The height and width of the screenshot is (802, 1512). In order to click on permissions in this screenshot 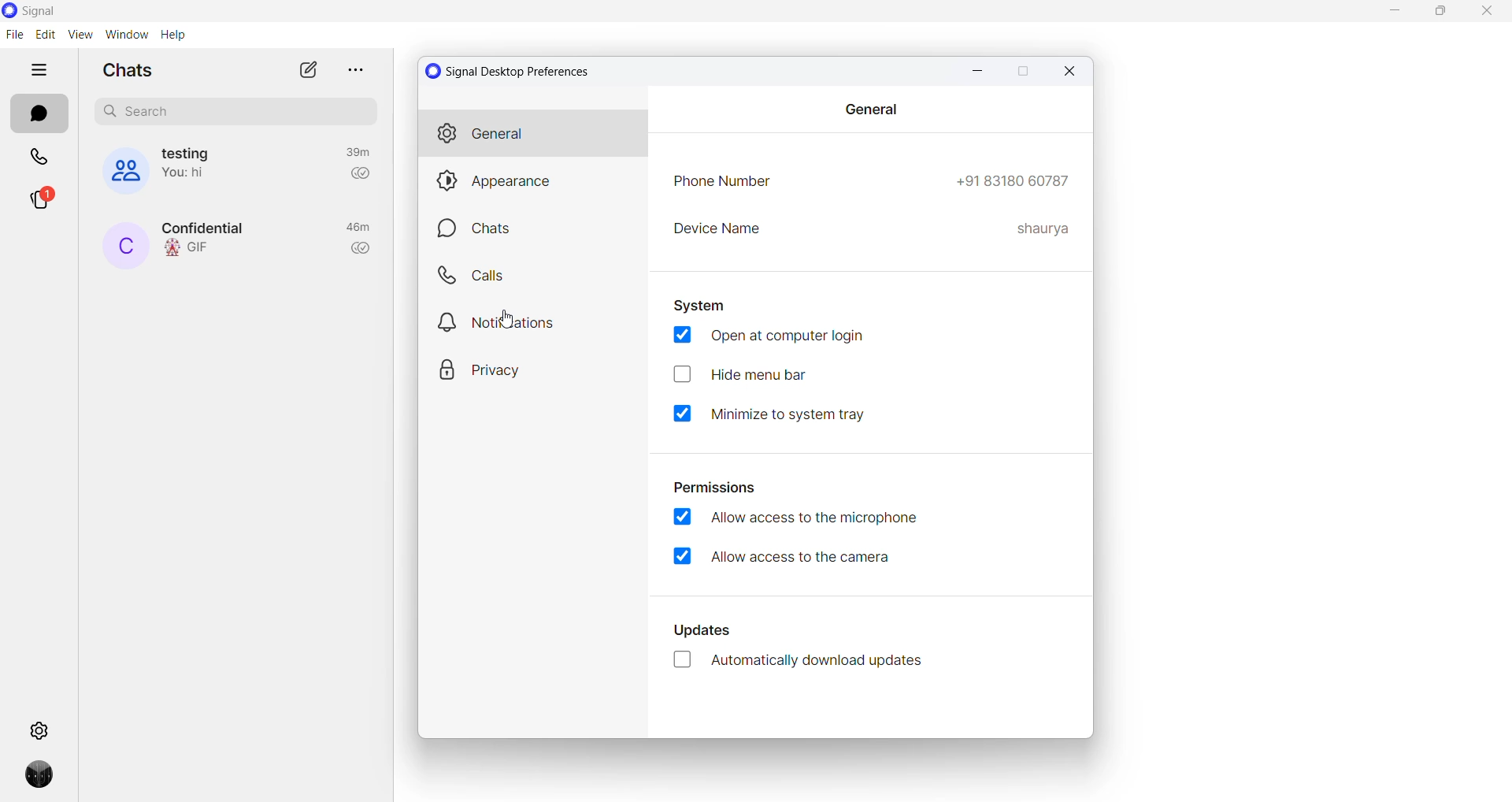, I will do `click(716, 486)`.